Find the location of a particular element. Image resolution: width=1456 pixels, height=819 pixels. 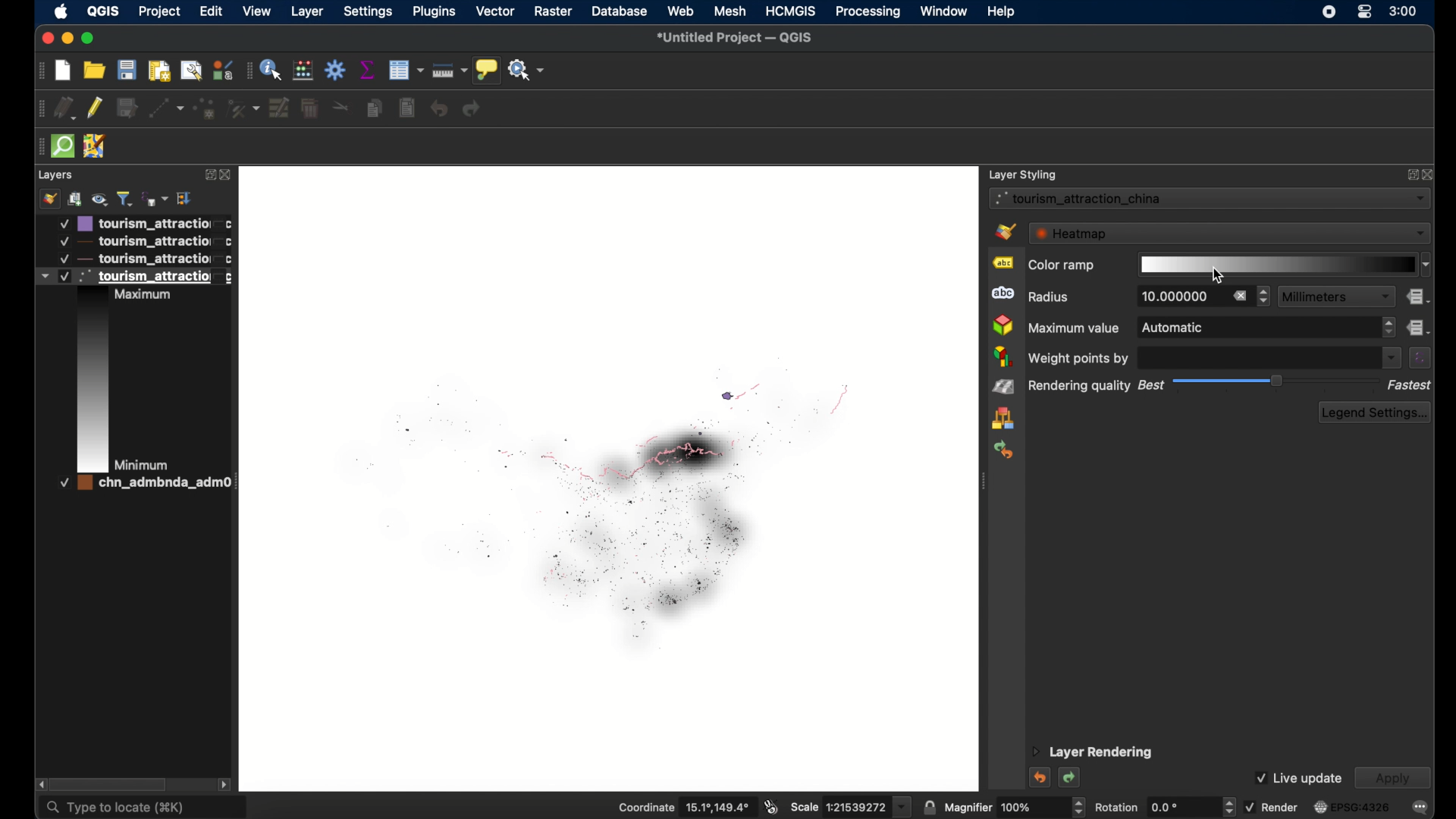

print layout is located at coordinates (160, 71).